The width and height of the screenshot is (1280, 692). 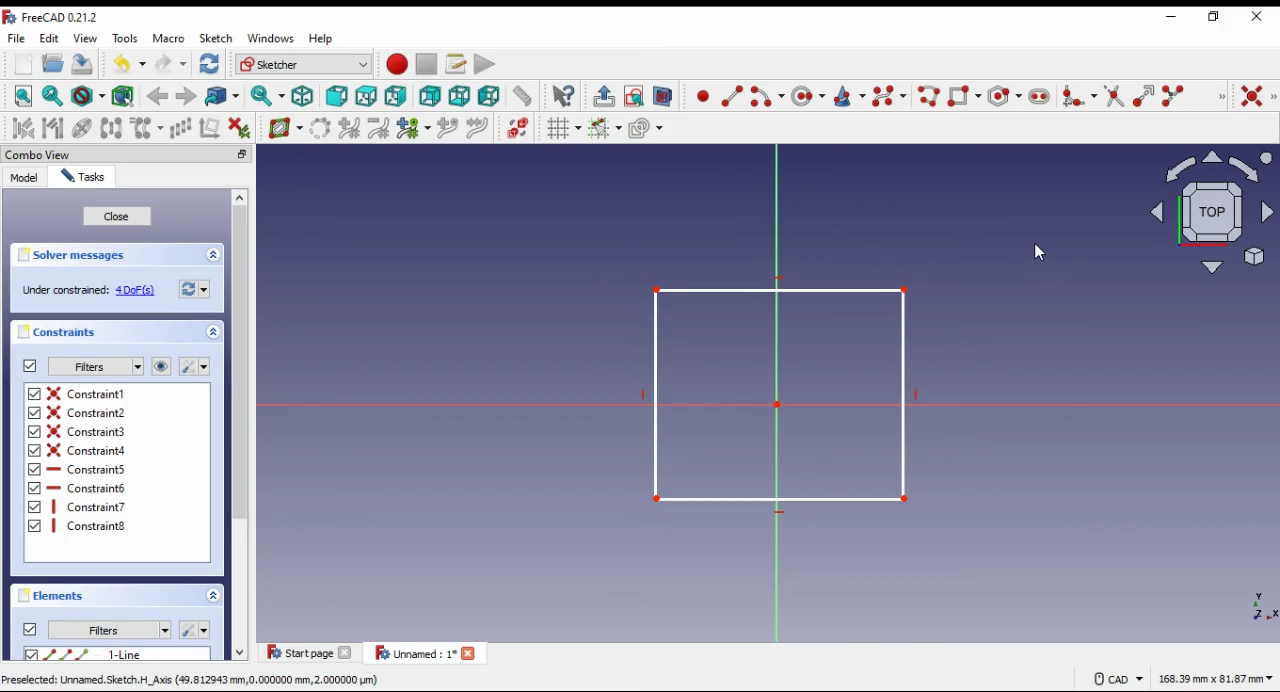 What do you see at coordinates (303, 96) in the screenshot?
I see `isometric` at bounding box center [303, 96].